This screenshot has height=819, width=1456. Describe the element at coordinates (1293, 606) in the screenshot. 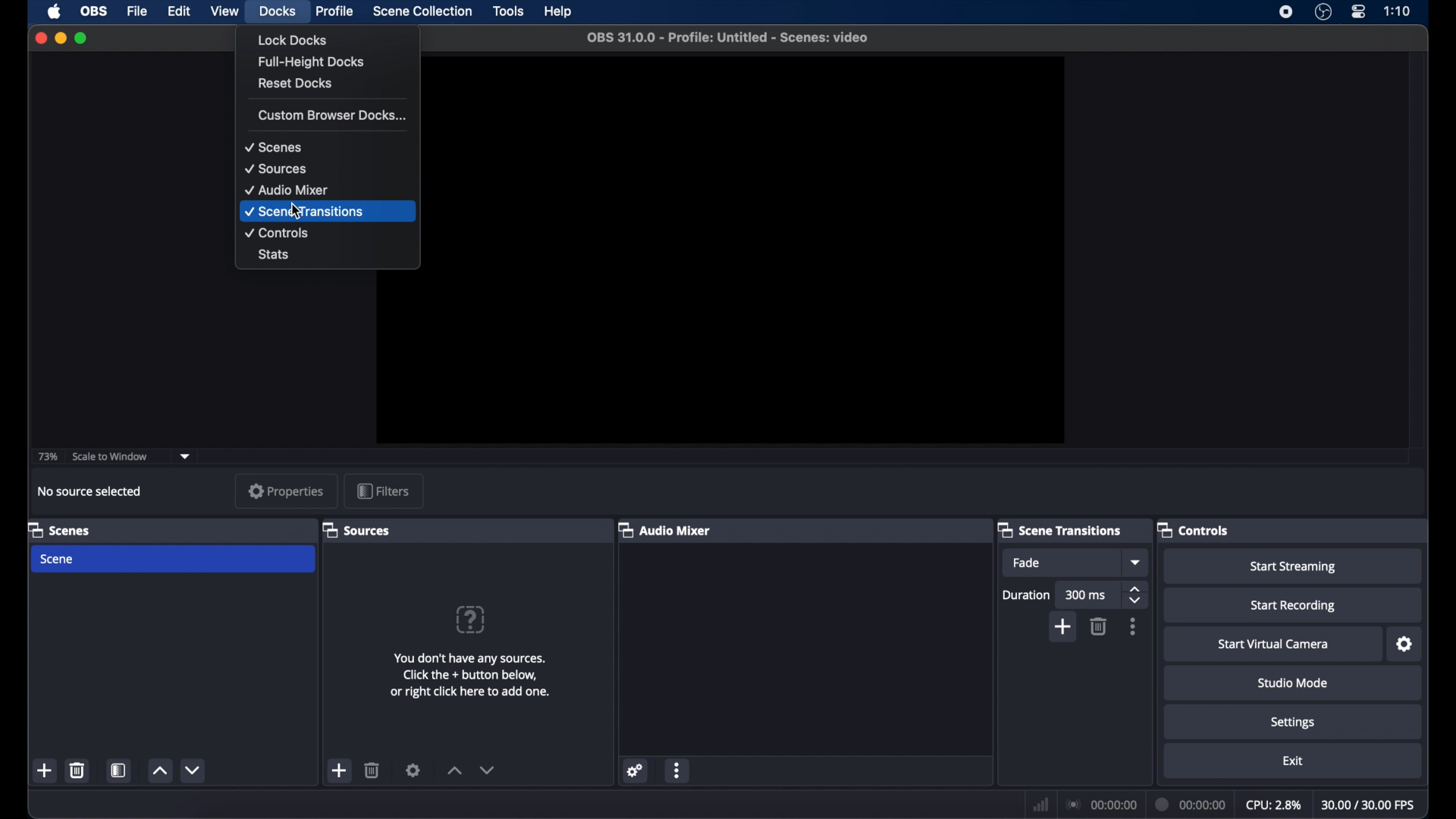

I see `start recording` at that location.